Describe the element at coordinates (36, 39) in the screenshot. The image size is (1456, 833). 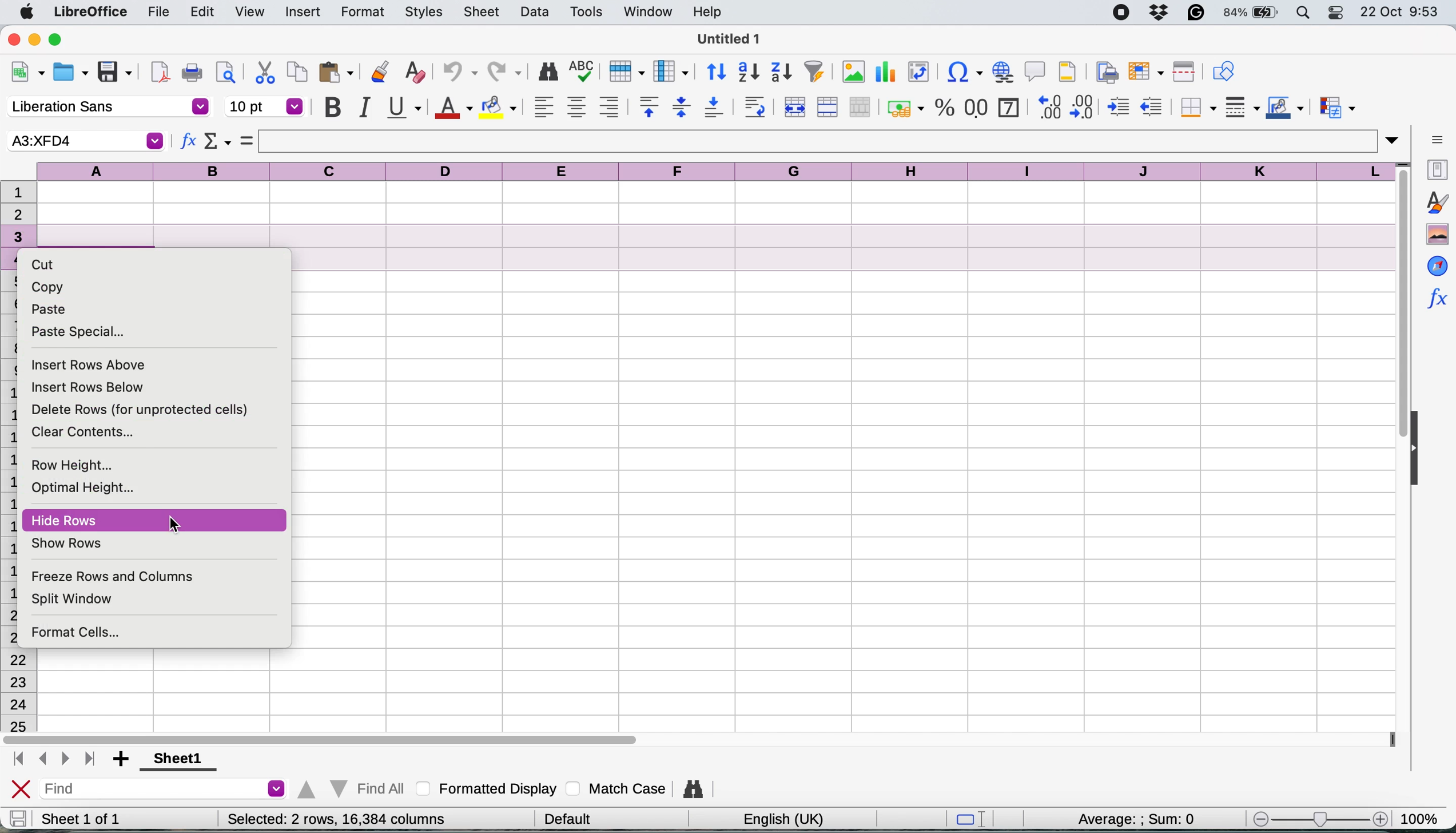
I see `minimise` at that location.